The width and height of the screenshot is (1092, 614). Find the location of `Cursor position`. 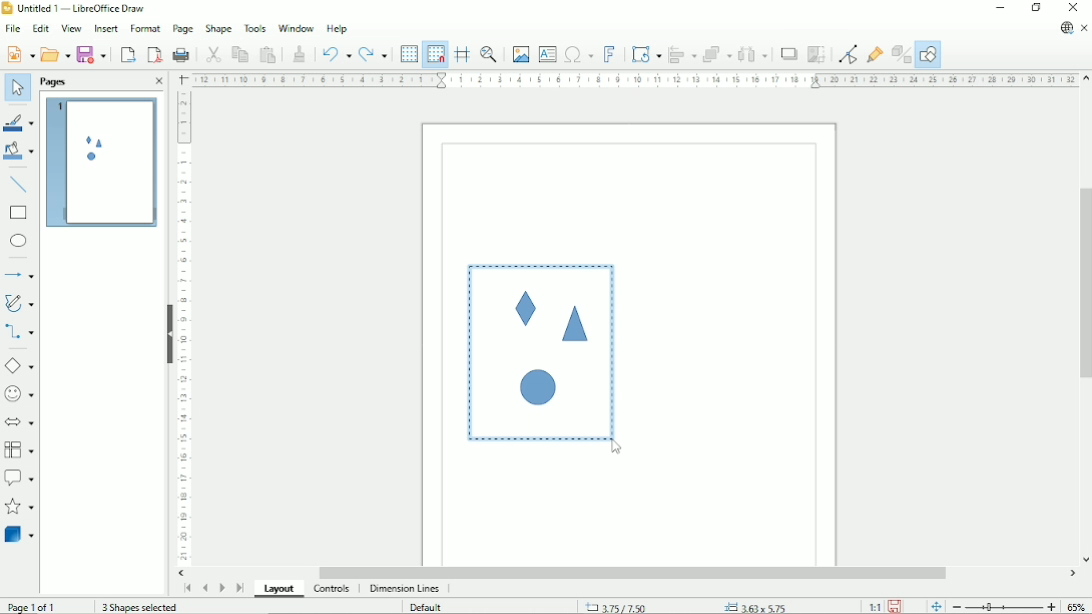

Cursor position is located at coordinates (689, 606).